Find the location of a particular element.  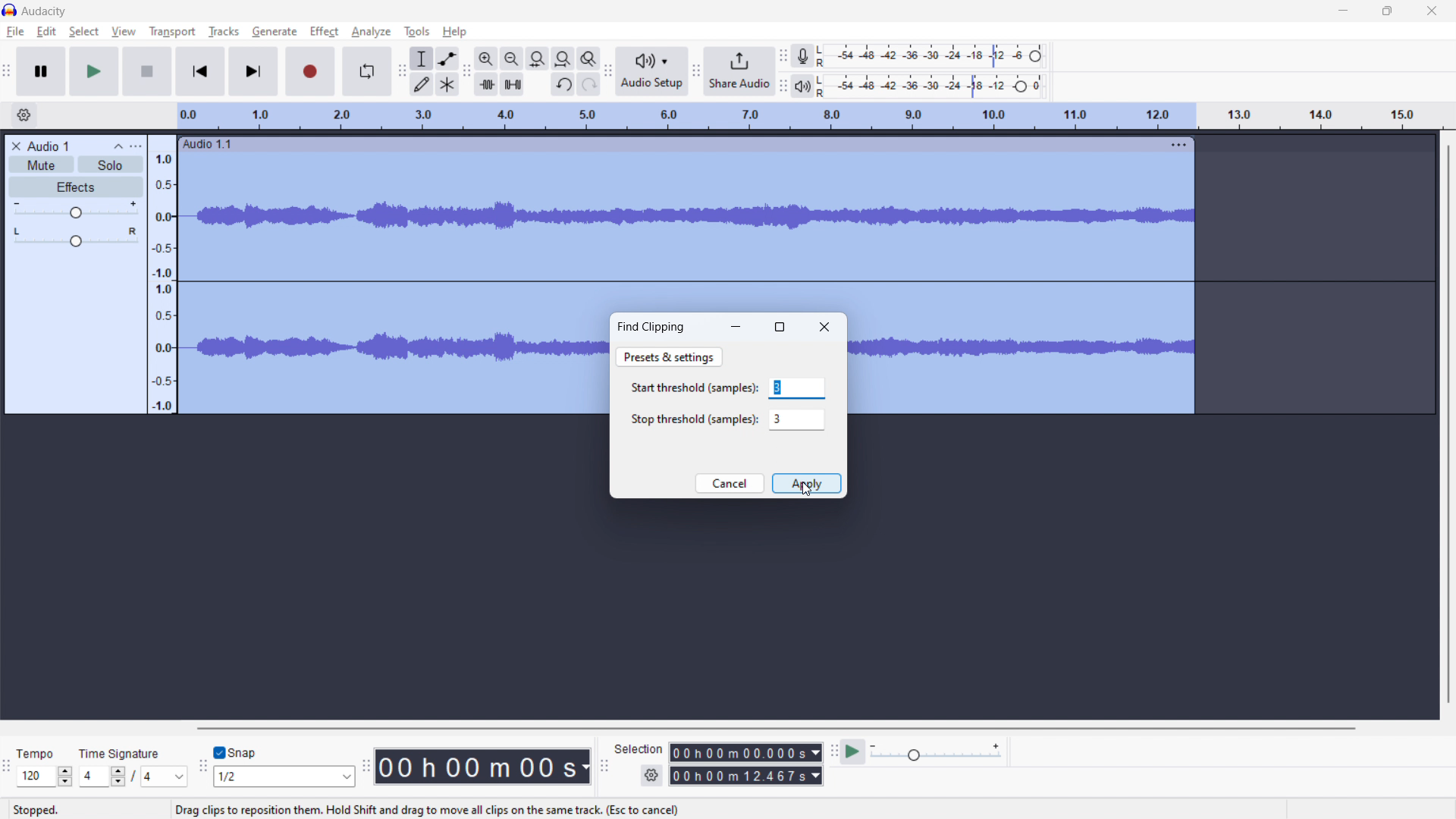

set tempo is located at coordinates (44, 776).